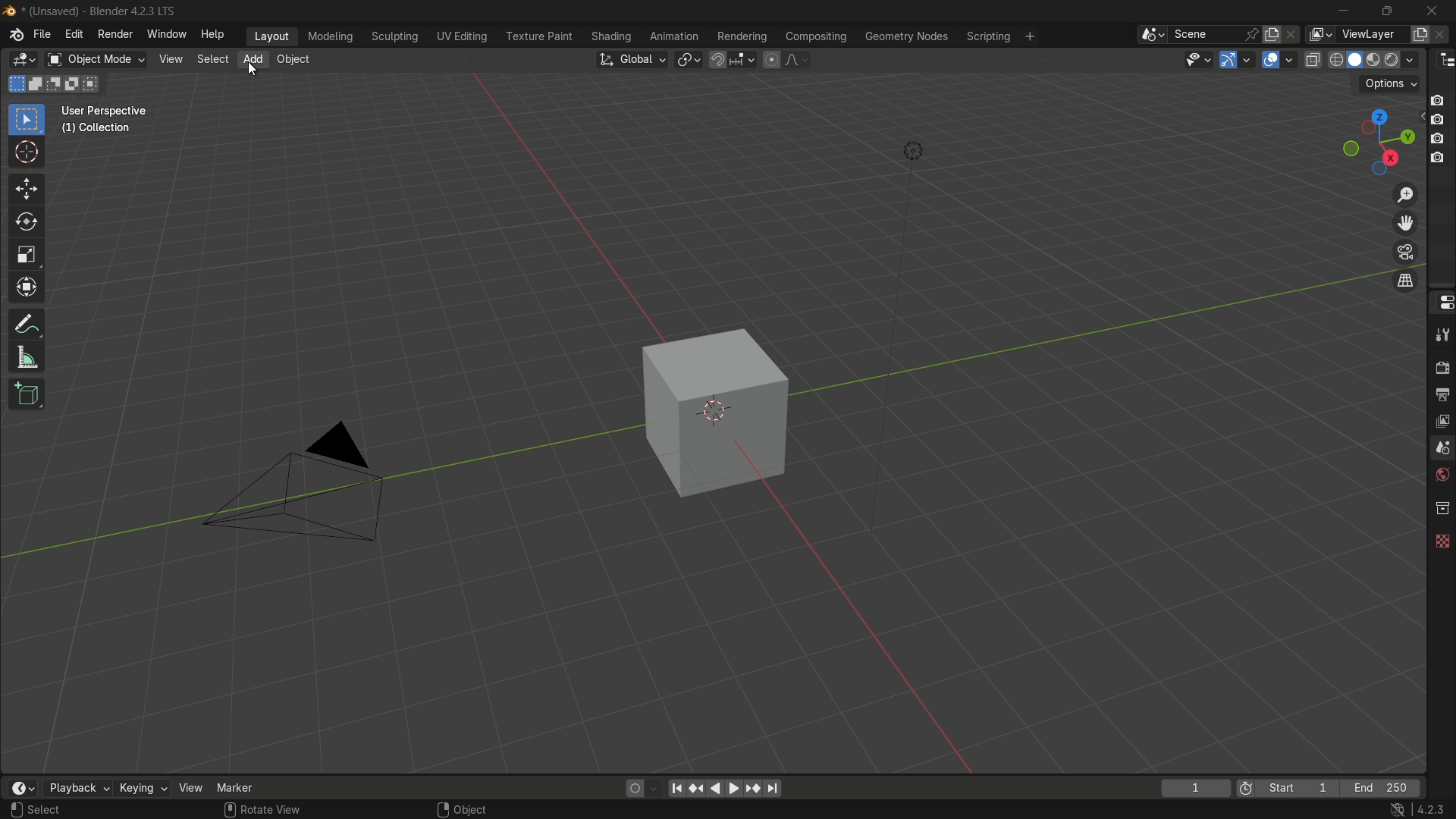 The image size is (1456, 819). What do you see at coordinates (14, 36) in the screenshot?
I see `blender logo` at bounding box center [14, 36].